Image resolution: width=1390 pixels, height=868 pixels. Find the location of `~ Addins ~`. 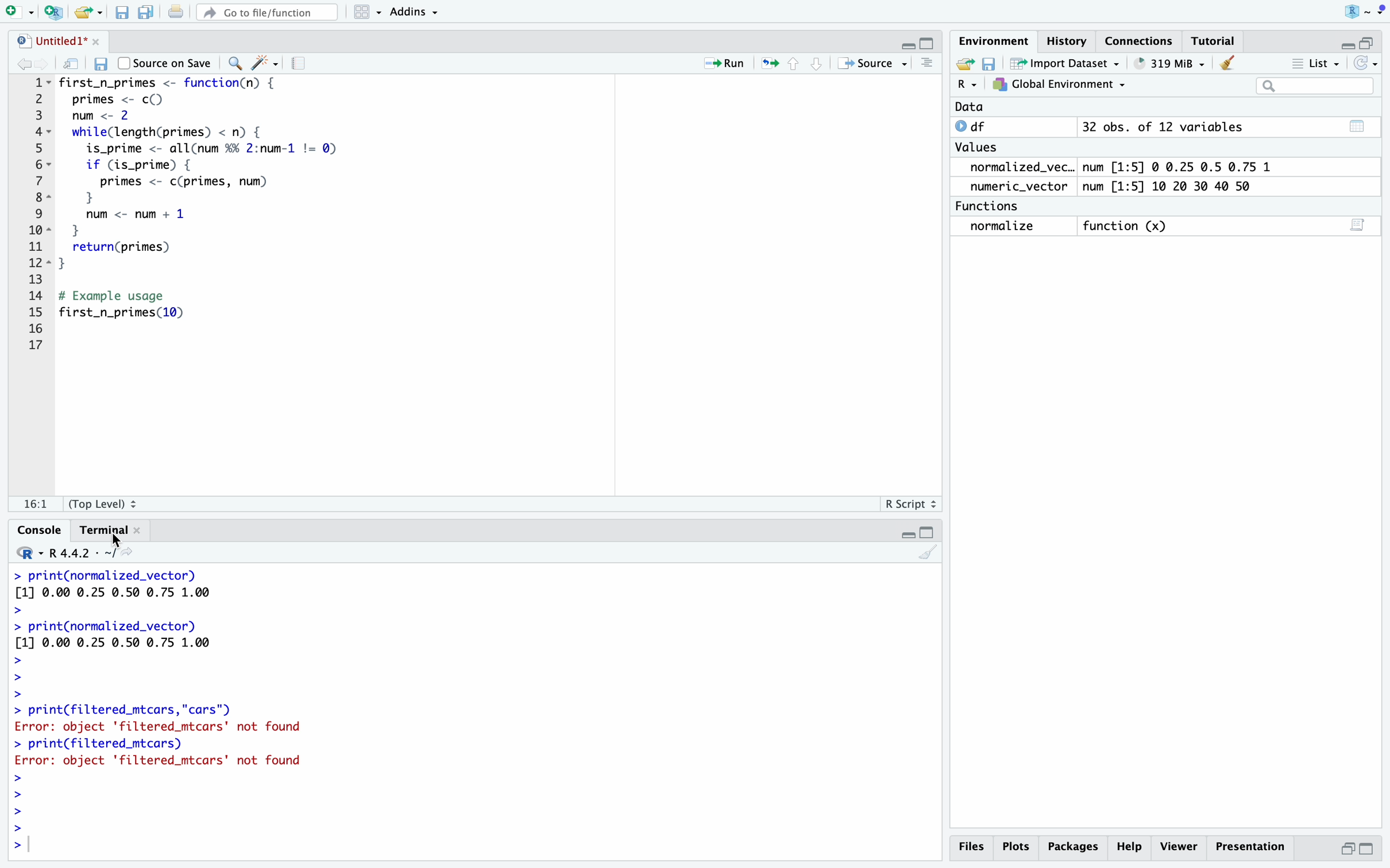

~ Addins ~ is located at coordinates (428, 14).